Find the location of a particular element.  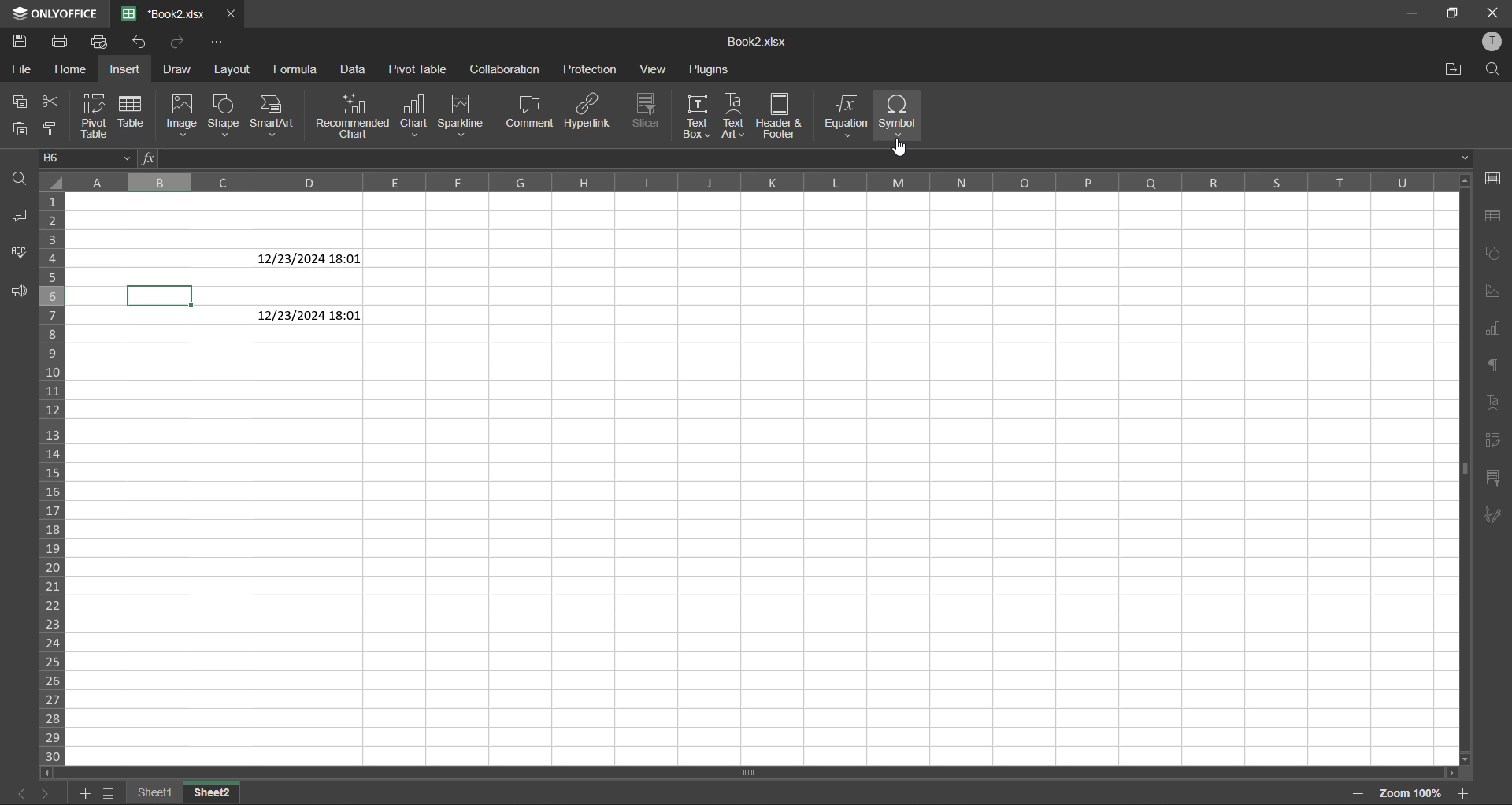

formula is located at coordinates (300, 69).